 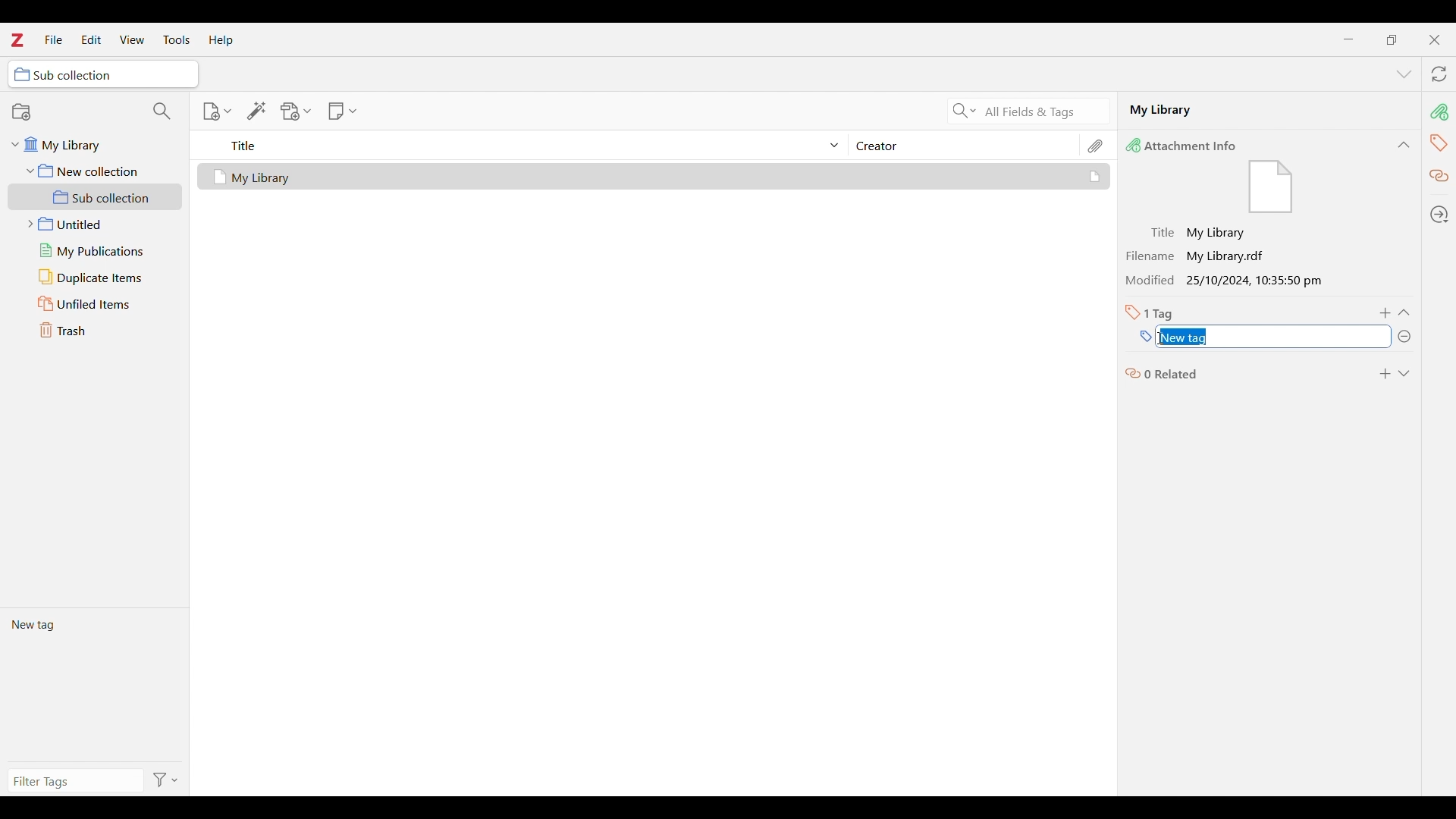 What do you see at coordinates (96, 197) in the screenshot?
I see `Sub collection folder` at bounding box center [96, 197].